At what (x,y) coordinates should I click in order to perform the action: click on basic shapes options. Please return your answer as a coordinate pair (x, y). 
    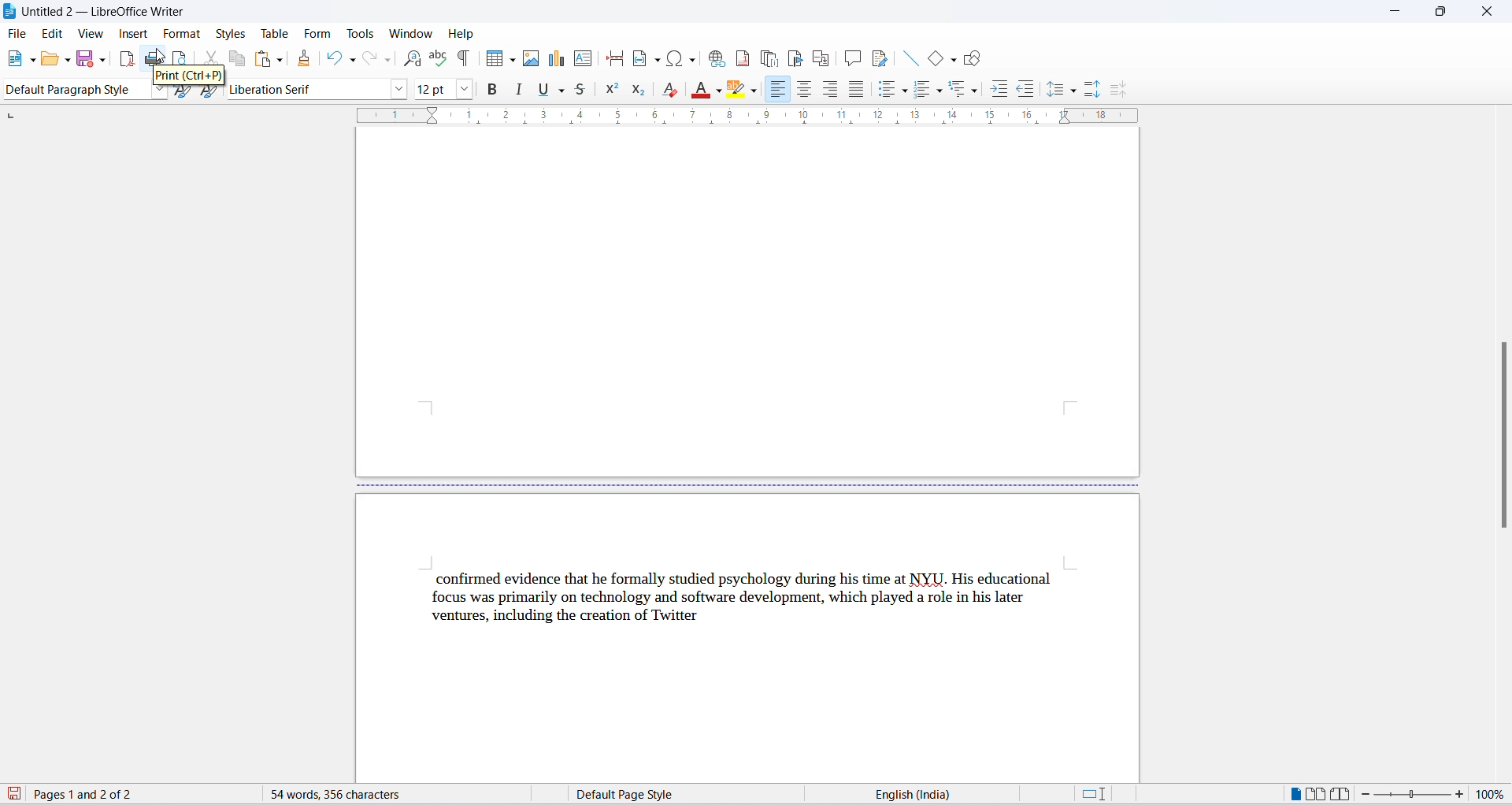
    Looking at the image, I should click on (954, 61).